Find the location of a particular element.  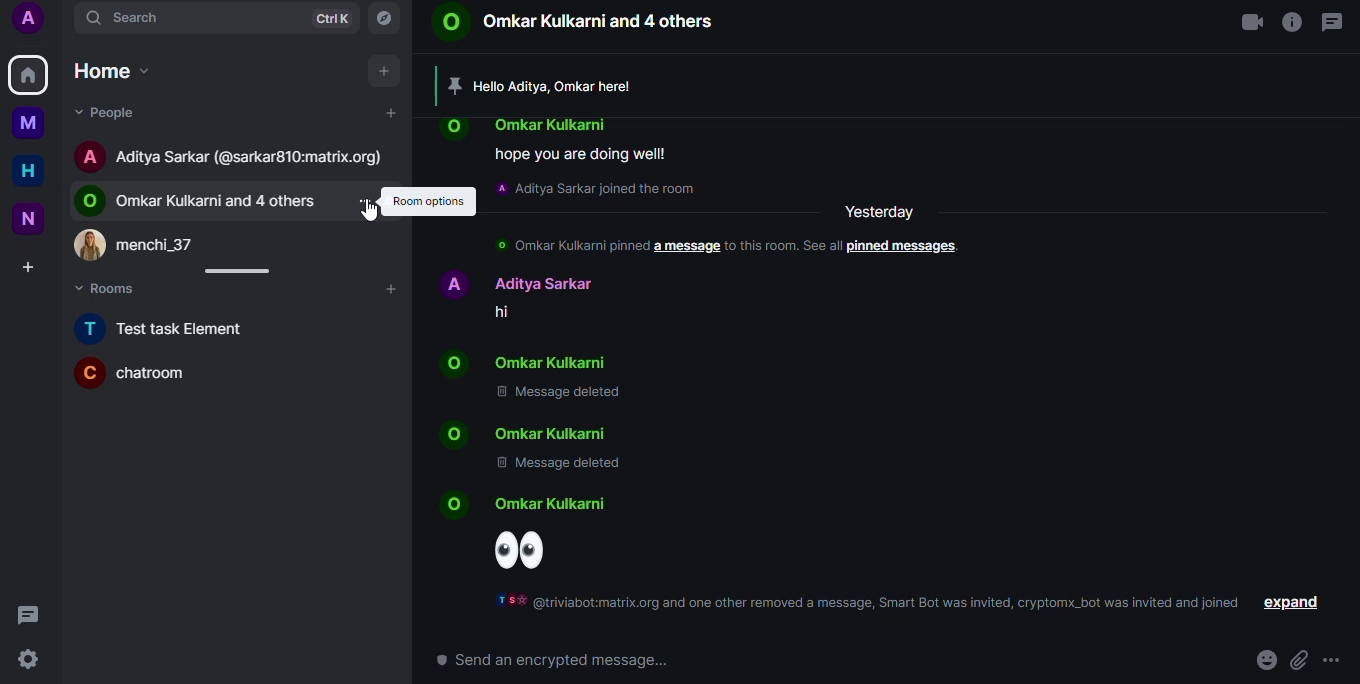

o is located at coordinates (460, 128).